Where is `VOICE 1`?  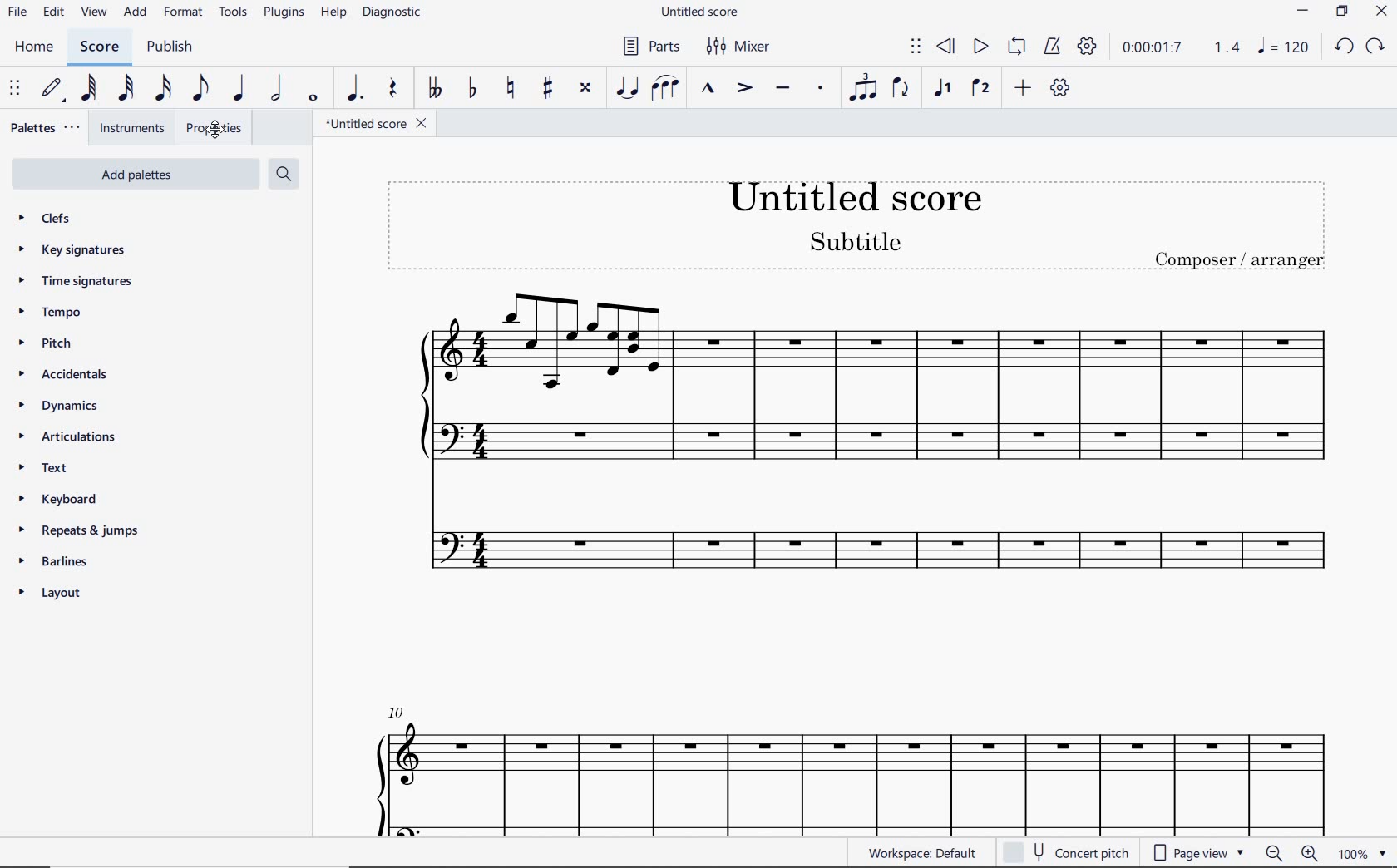 VOICE 1 is located at coordinates (939, 90).